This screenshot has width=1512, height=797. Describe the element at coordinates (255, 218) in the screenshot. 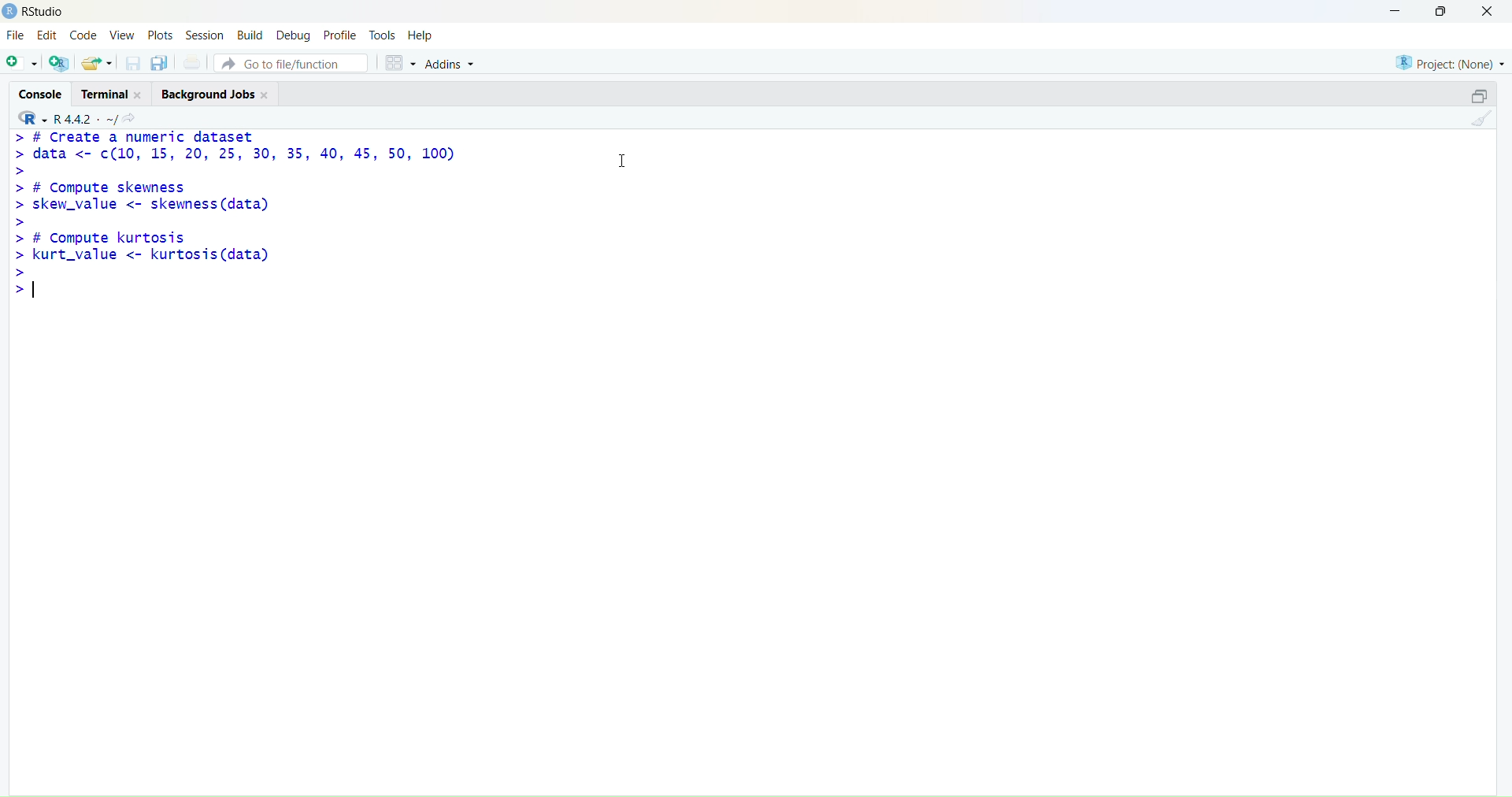

I see `2 # LIEalE a liulel ic dataset
> data <- c(10, 15, 20, 25, 30, 35, 40, 45, 50, 100)
>
> # Compute skewness
> skew_value <- skewness (data)
>
> # Compute kurtosis
> kurt_value <- kurtosis(data)
>
.` at that location.